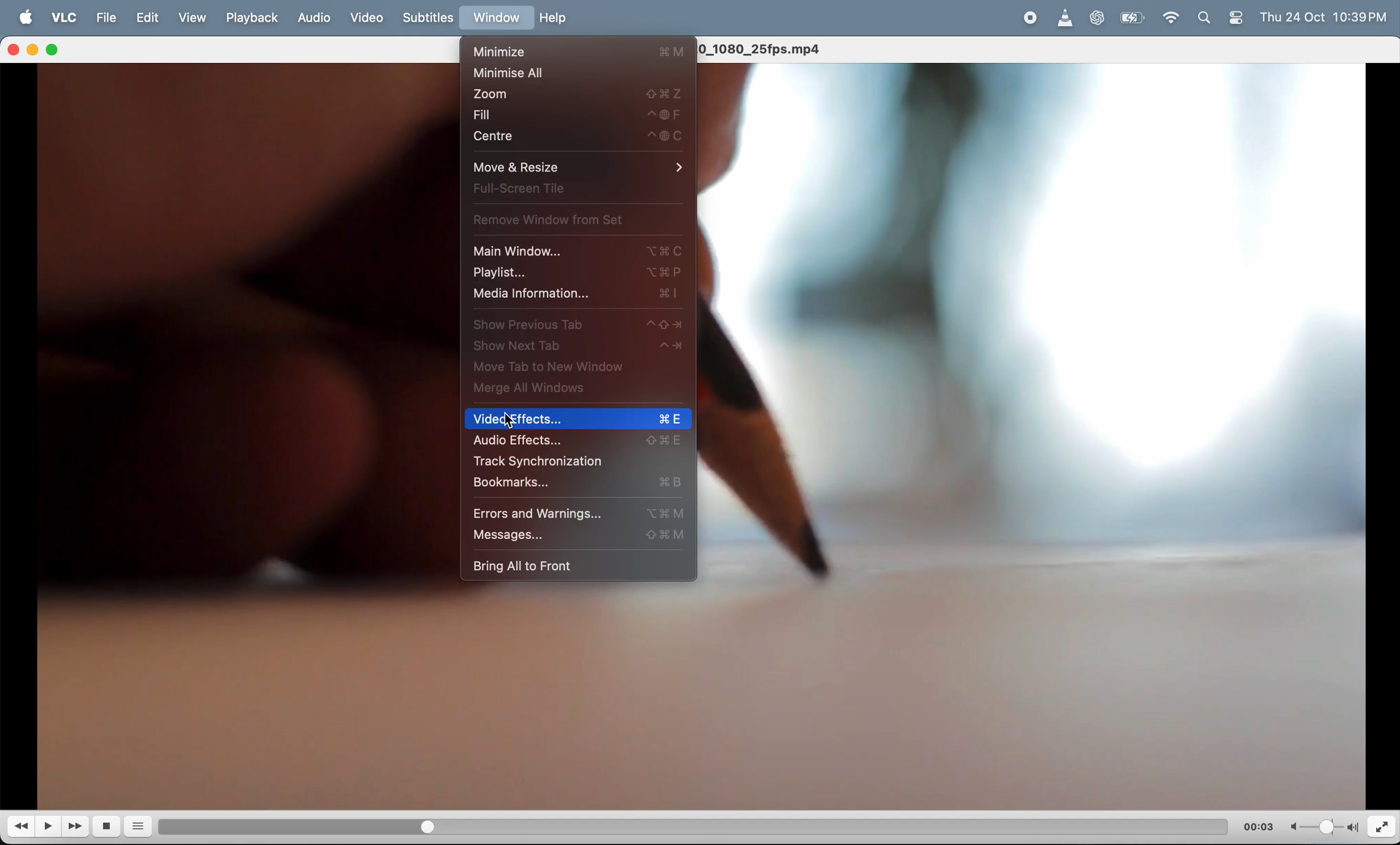 The width and height of the screenshot is (1400, 845). I want to click on Subtitles, so click(431, 18).